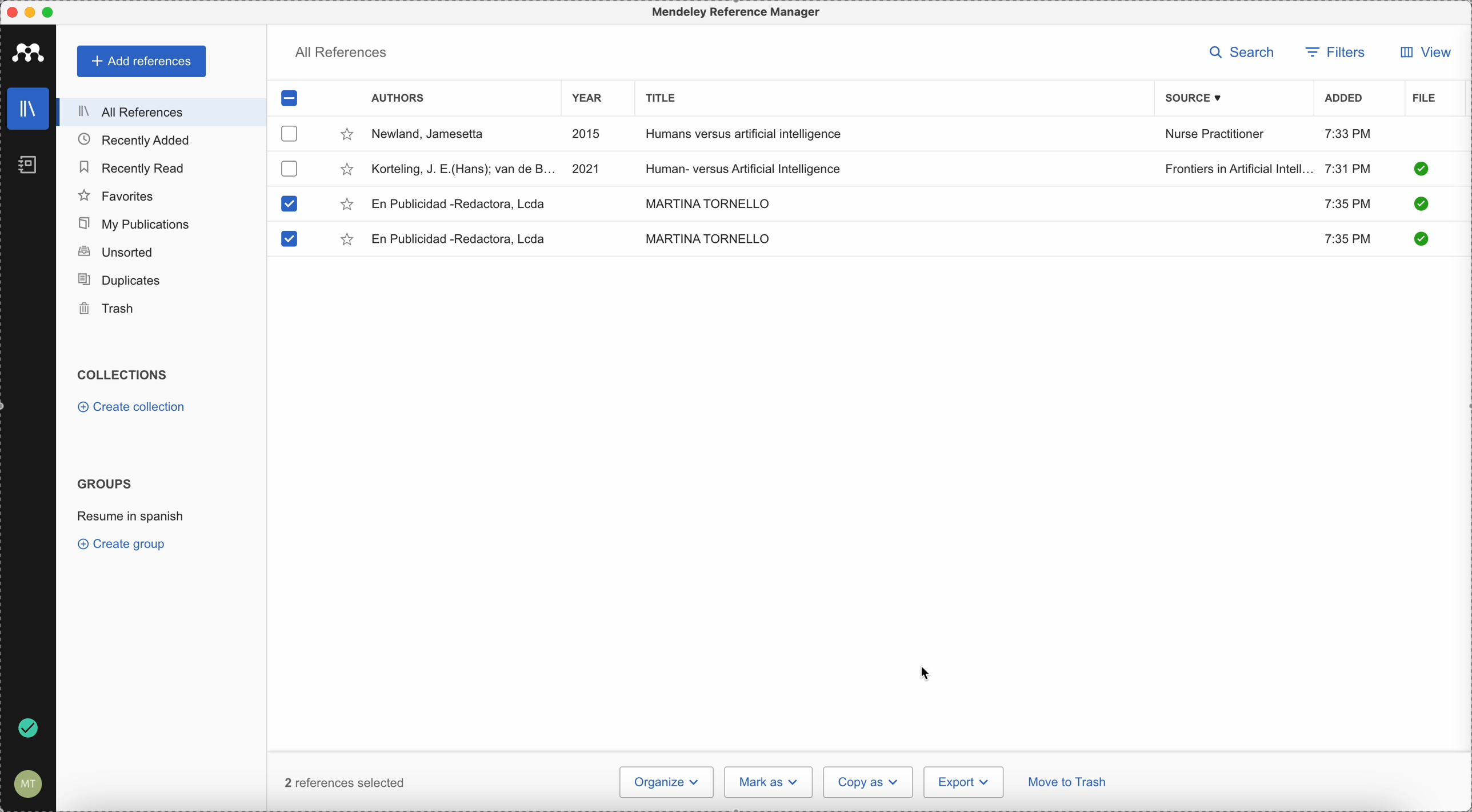 This screenshot has height=812, width=1472. I want to click on groups, so click(104, 482).